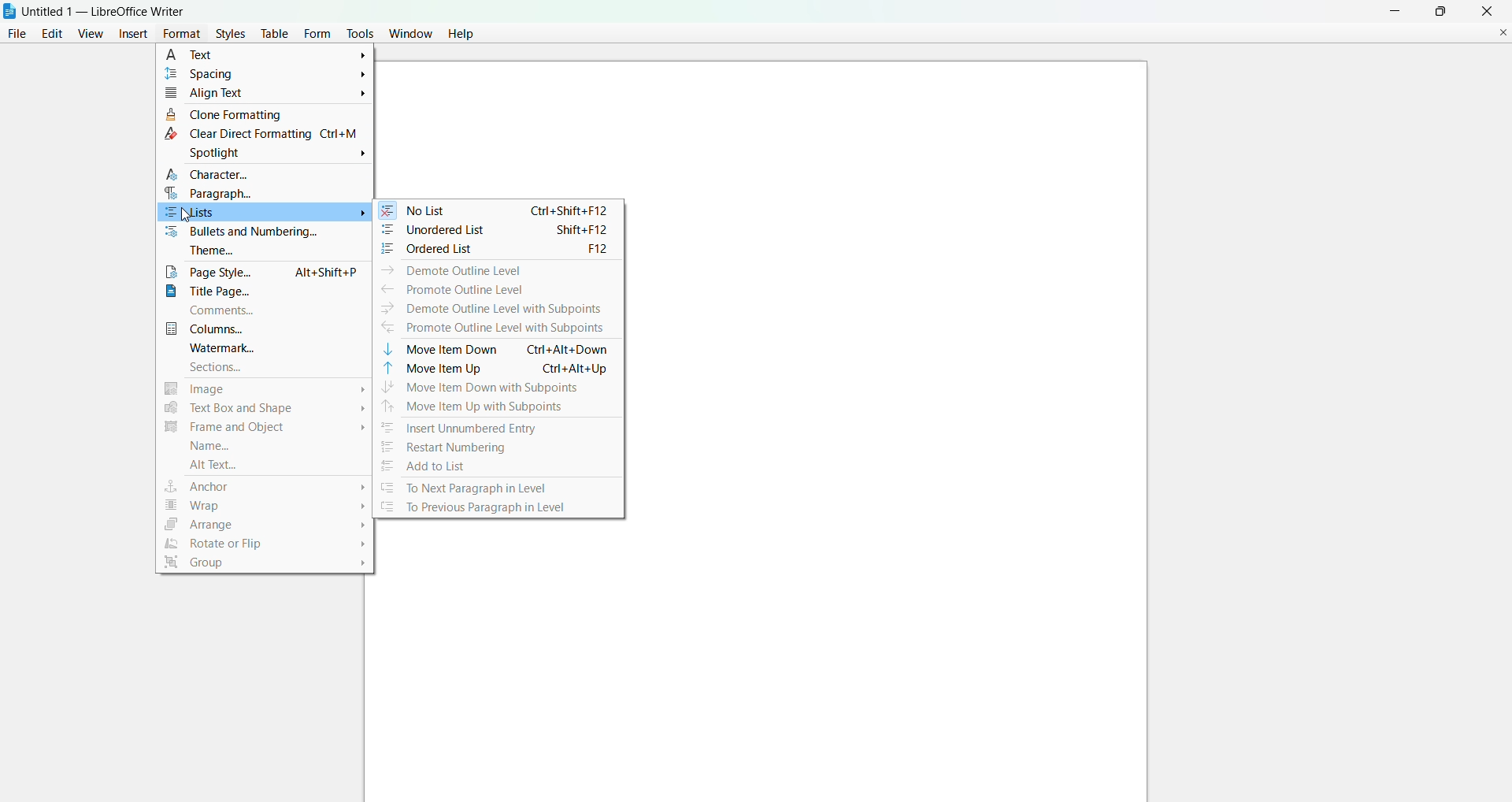 The width and height of the screenshot is (1512, 802). What do you see at coordinates (209, 175) in the screenshot?
I see `character` at bounding box center [209, 175].